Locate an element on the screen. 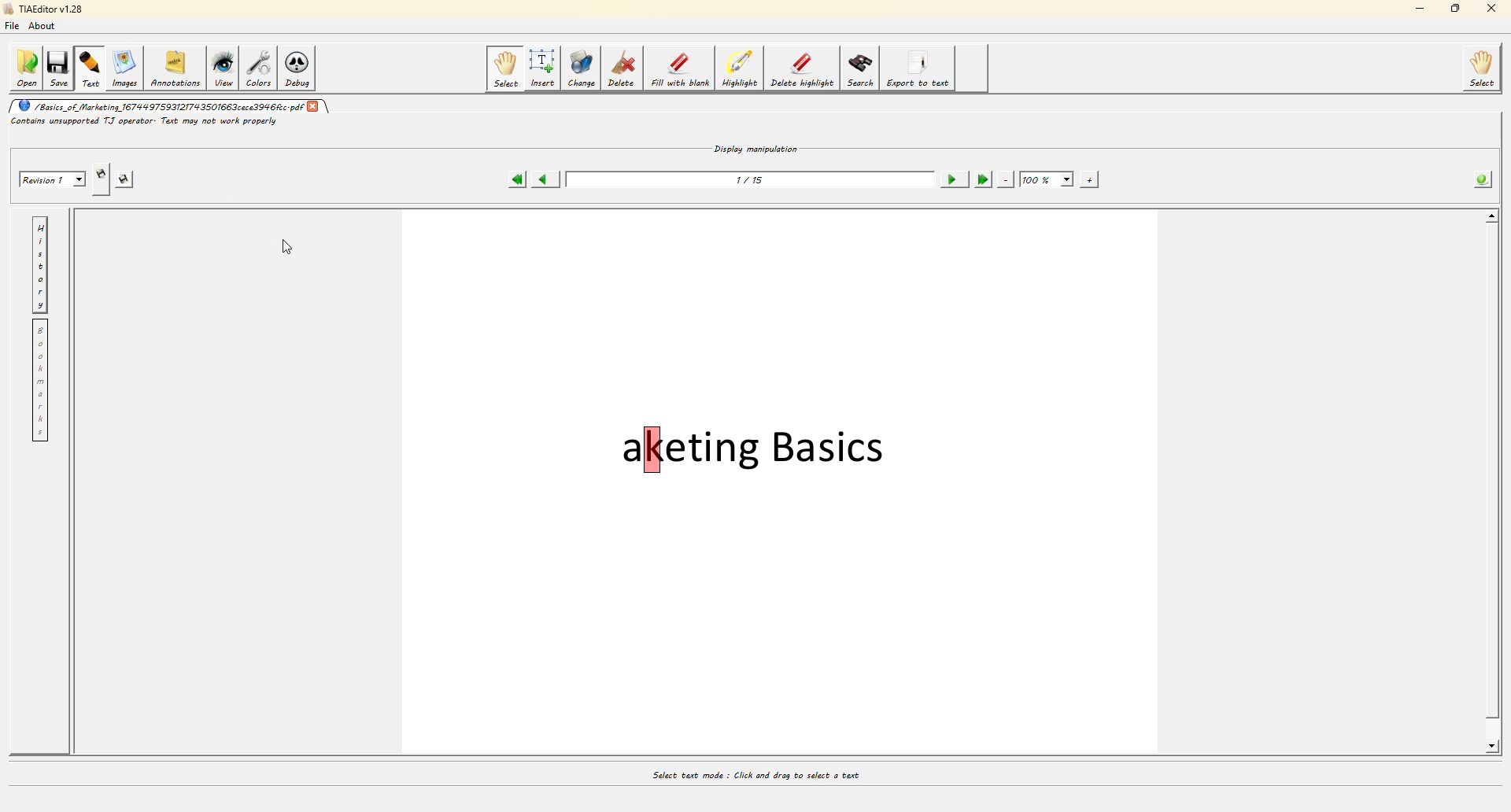 The width and height of the screenshot is (1511, 812). annotations is located at coordinates (175, 66).